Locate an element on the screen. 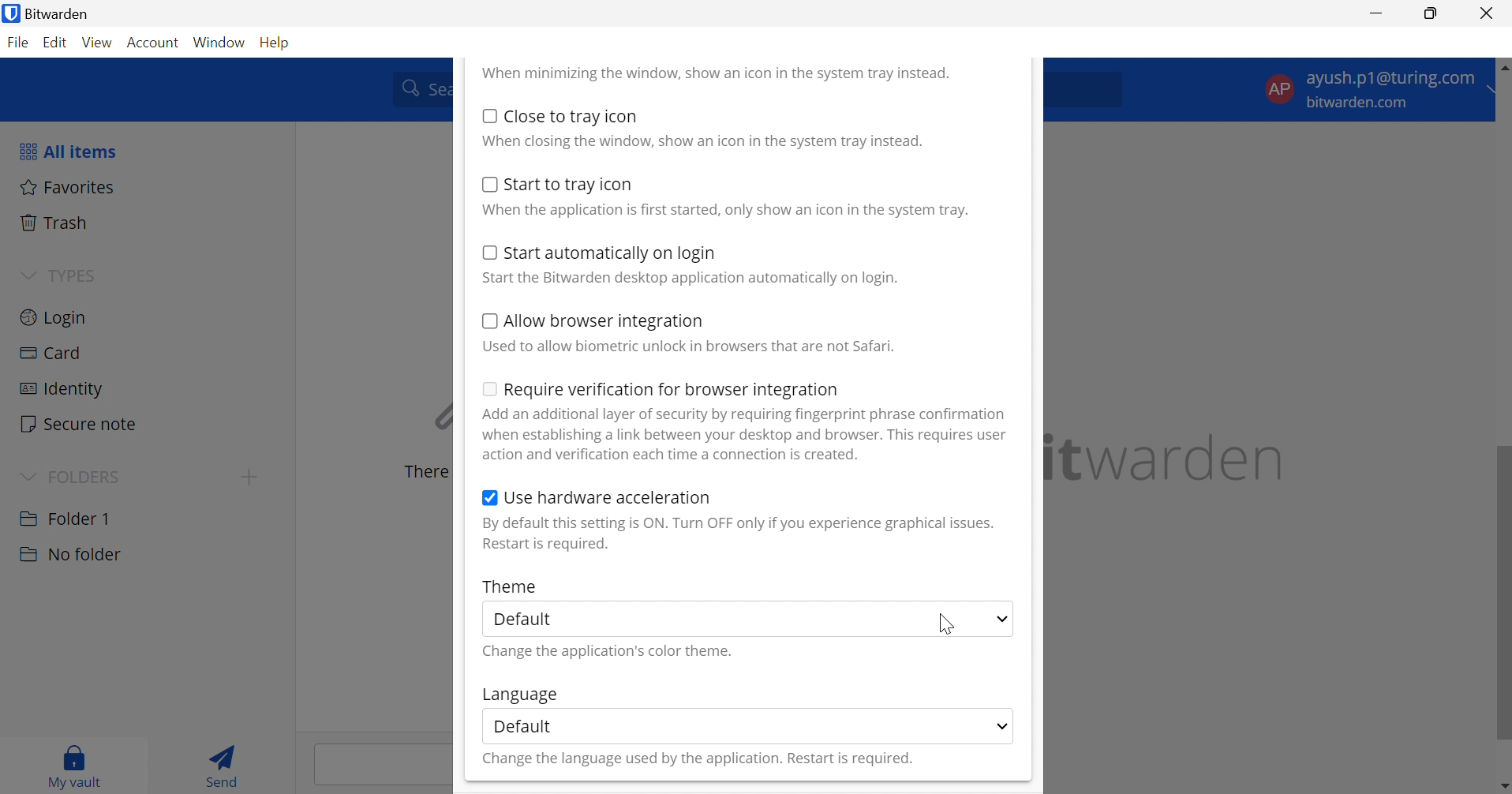 The image size is (1512, 794). drop down is located at coordinates (1497, 92).